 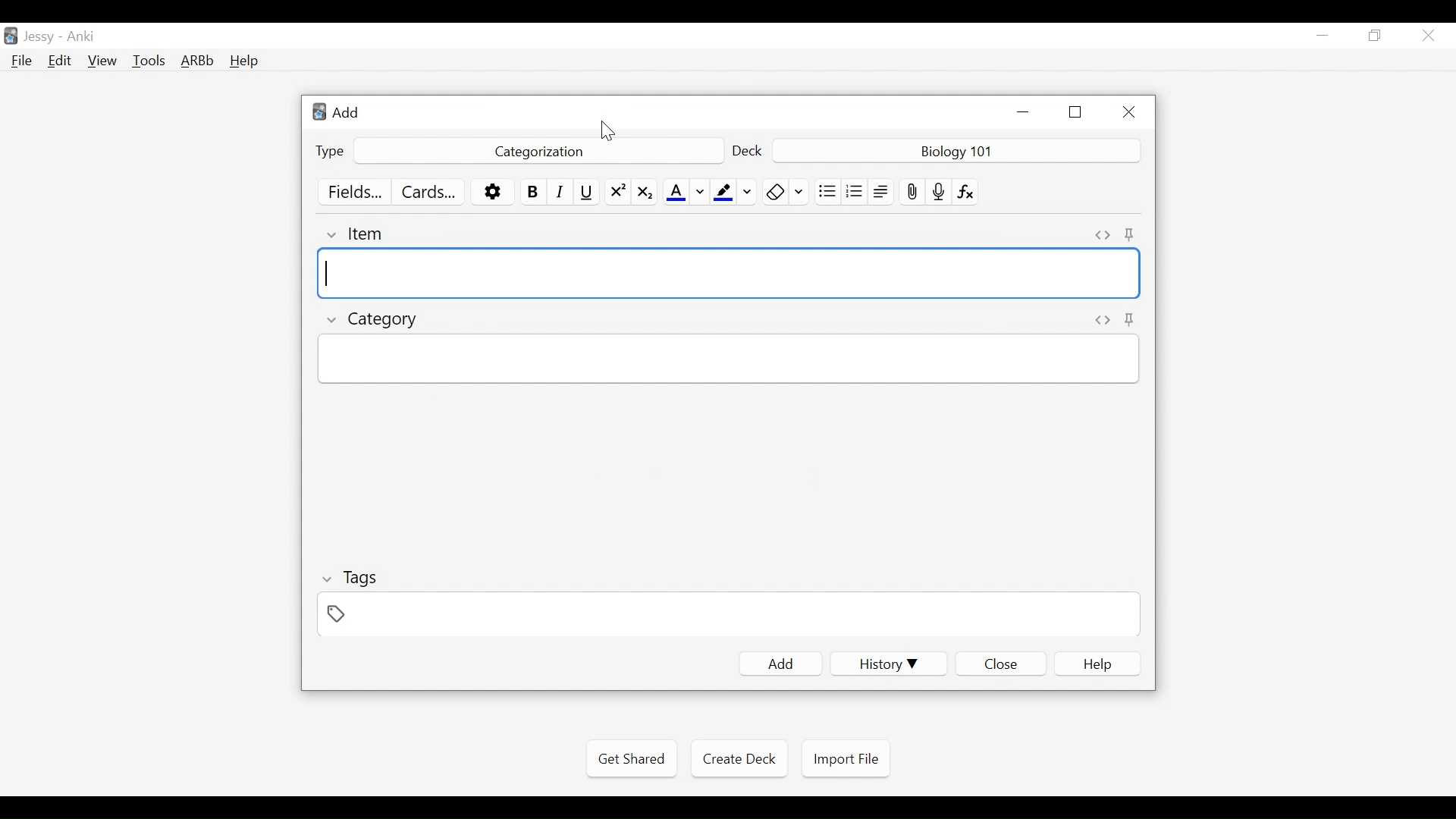 I want to click on User Nmae, so click(x=42, y=37).